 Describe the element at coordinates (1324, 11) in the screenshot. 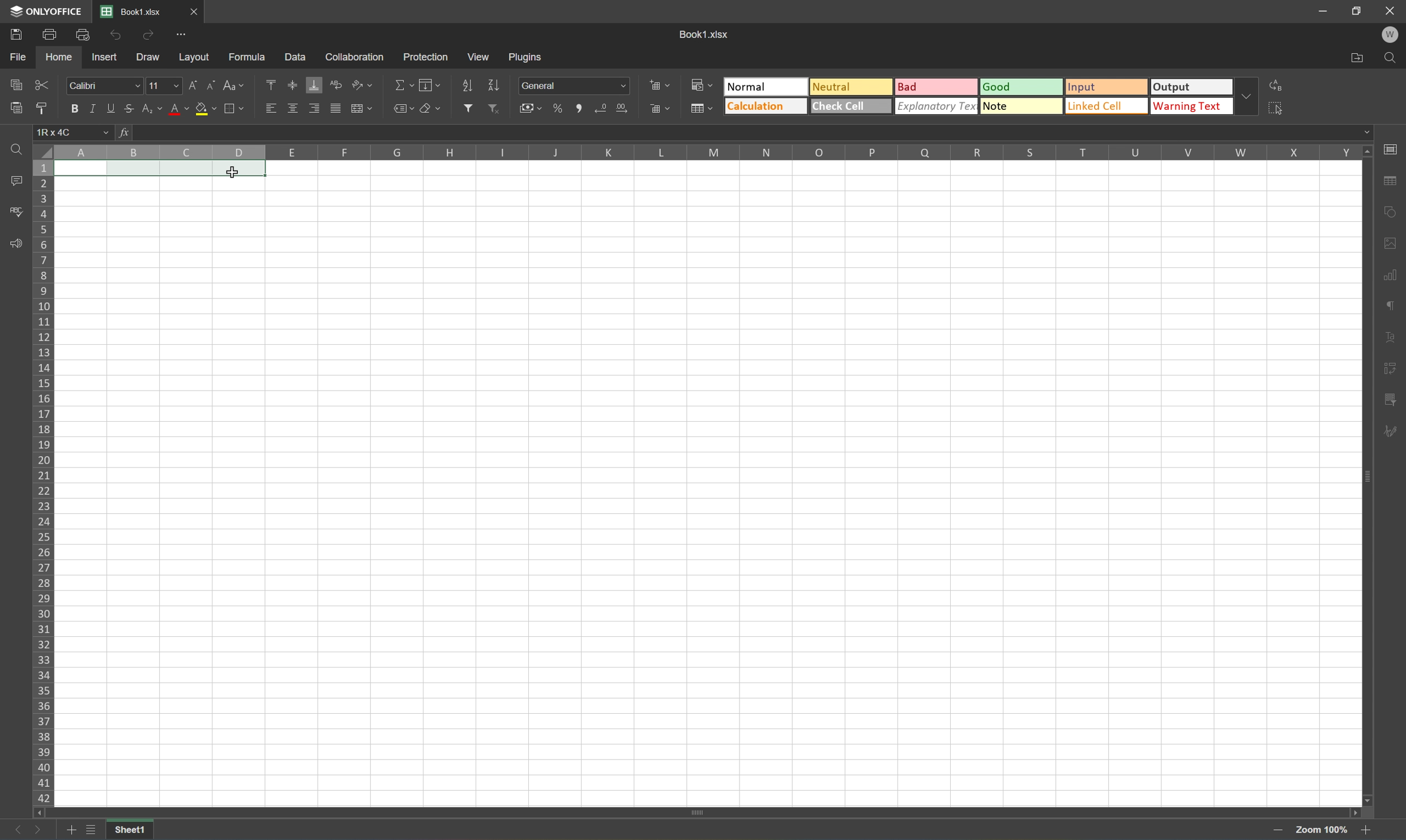

I see `Minimize` at that location.